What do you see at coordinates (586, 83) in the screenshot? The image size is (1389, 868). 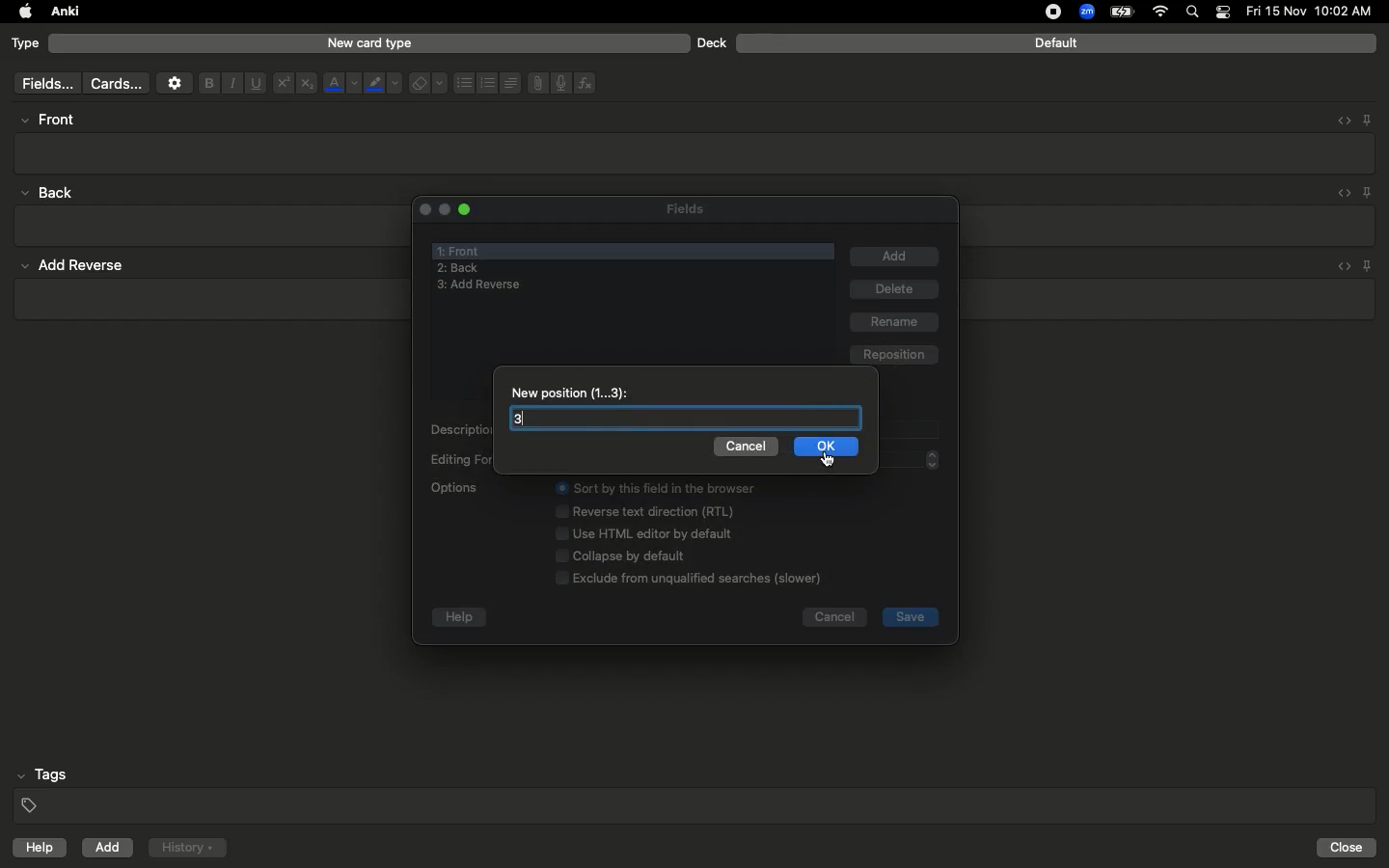 I see `Function` at bounding box center [586, 83].